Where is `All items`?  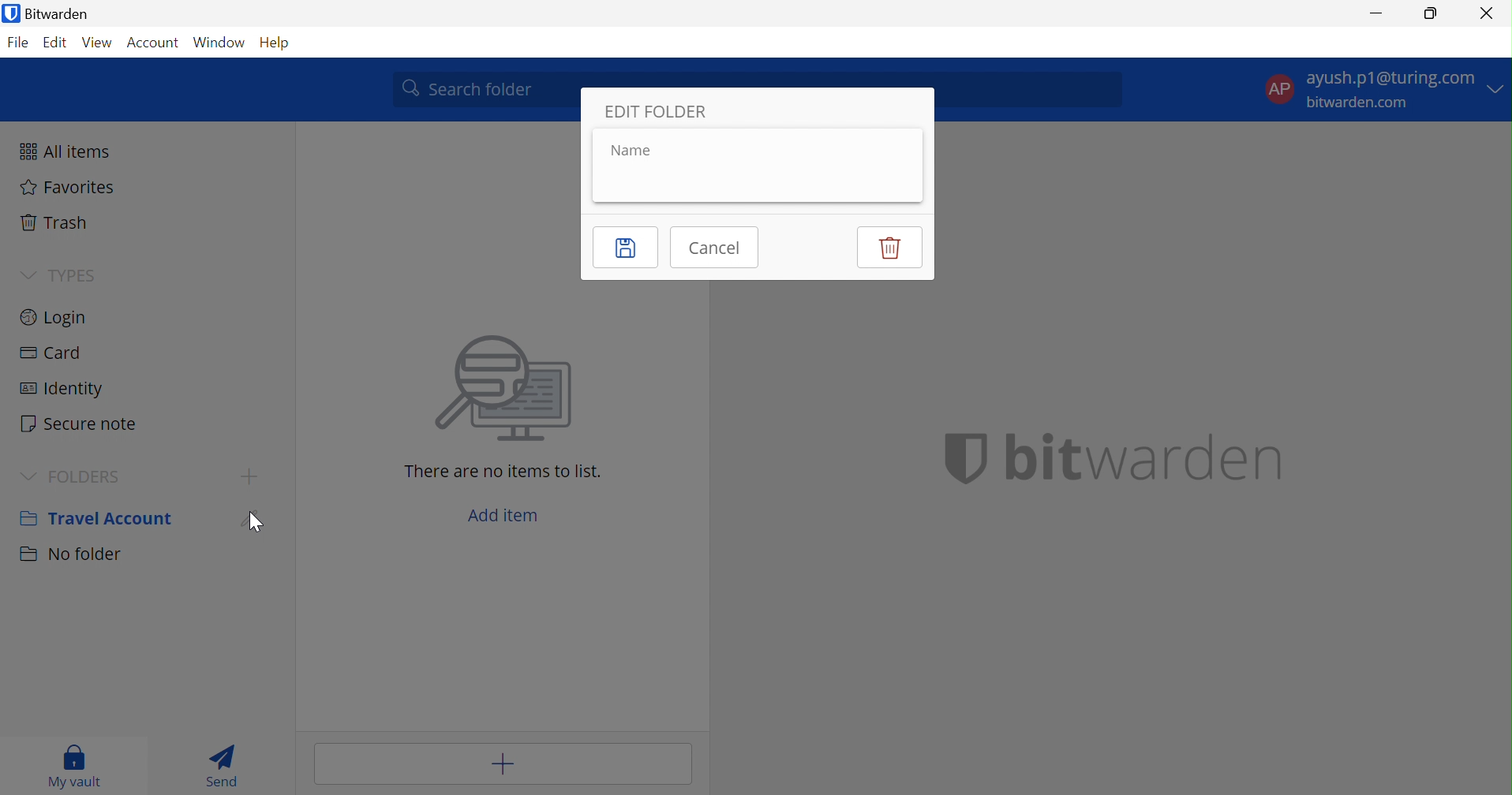
All items is located at coordinates (66, 151).